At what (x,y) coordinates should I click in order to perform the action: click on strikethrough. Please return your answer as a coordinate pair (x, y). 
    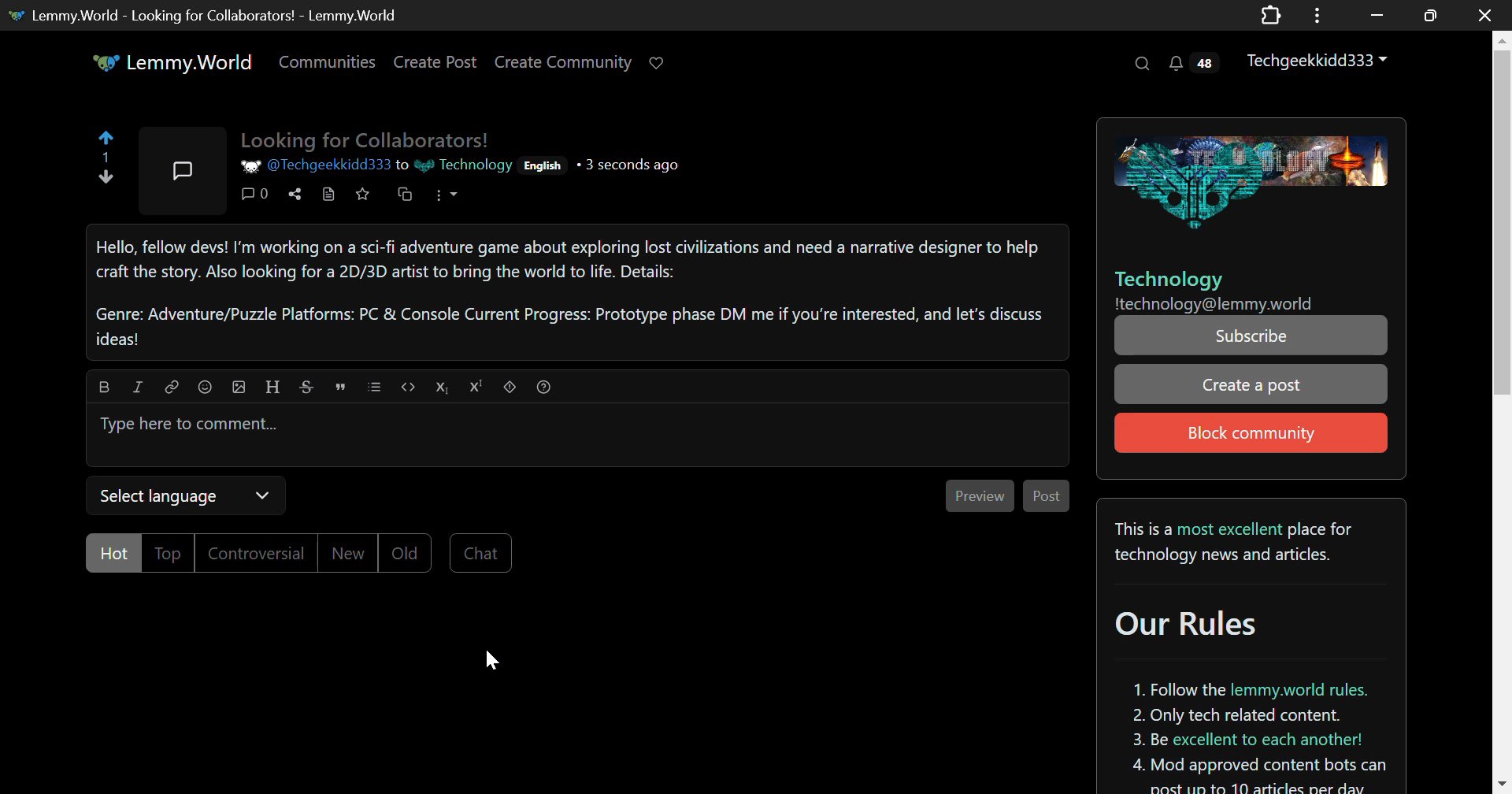
    Looking at the image, I should click on (308, 385).